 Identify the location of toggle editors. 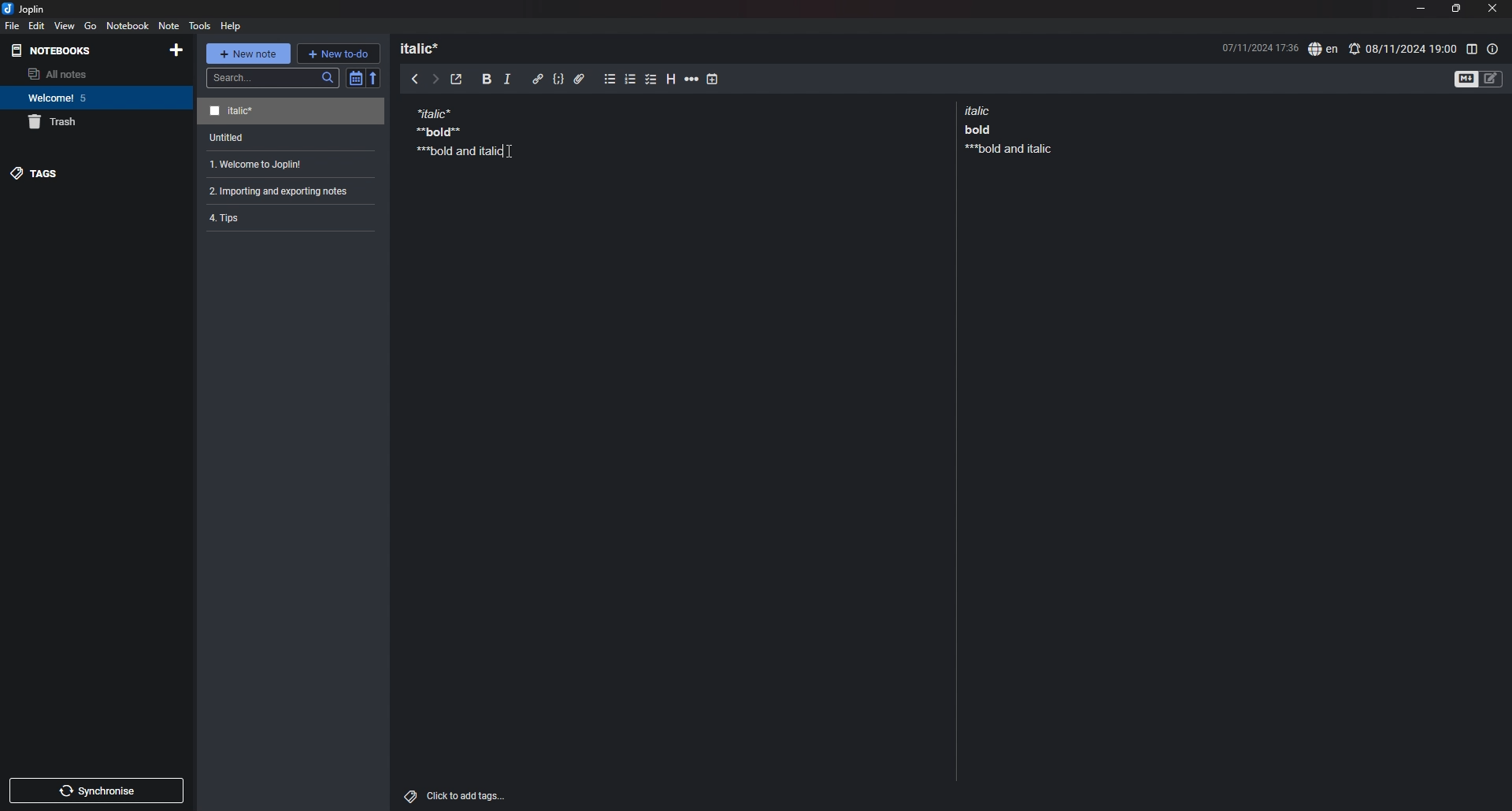
(1479, 78).